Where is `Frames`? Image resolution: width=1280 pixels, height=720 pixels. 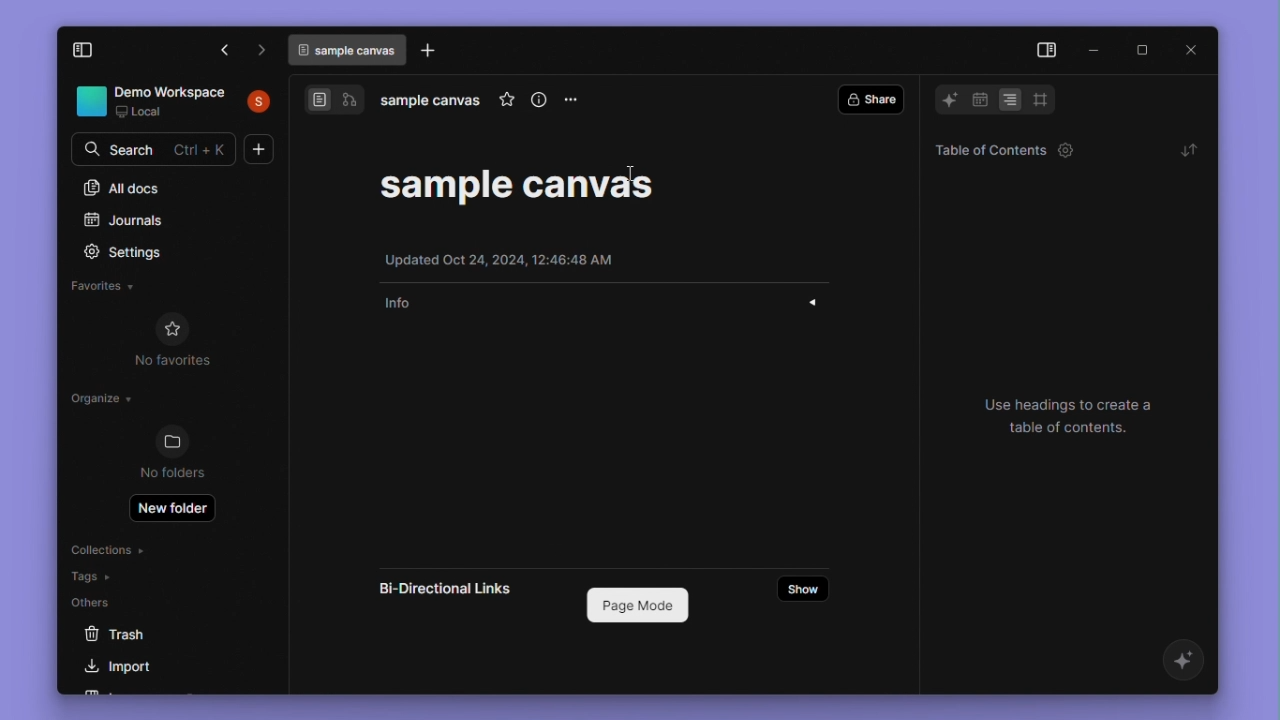 Frames is located at coordinates (1040, 99).